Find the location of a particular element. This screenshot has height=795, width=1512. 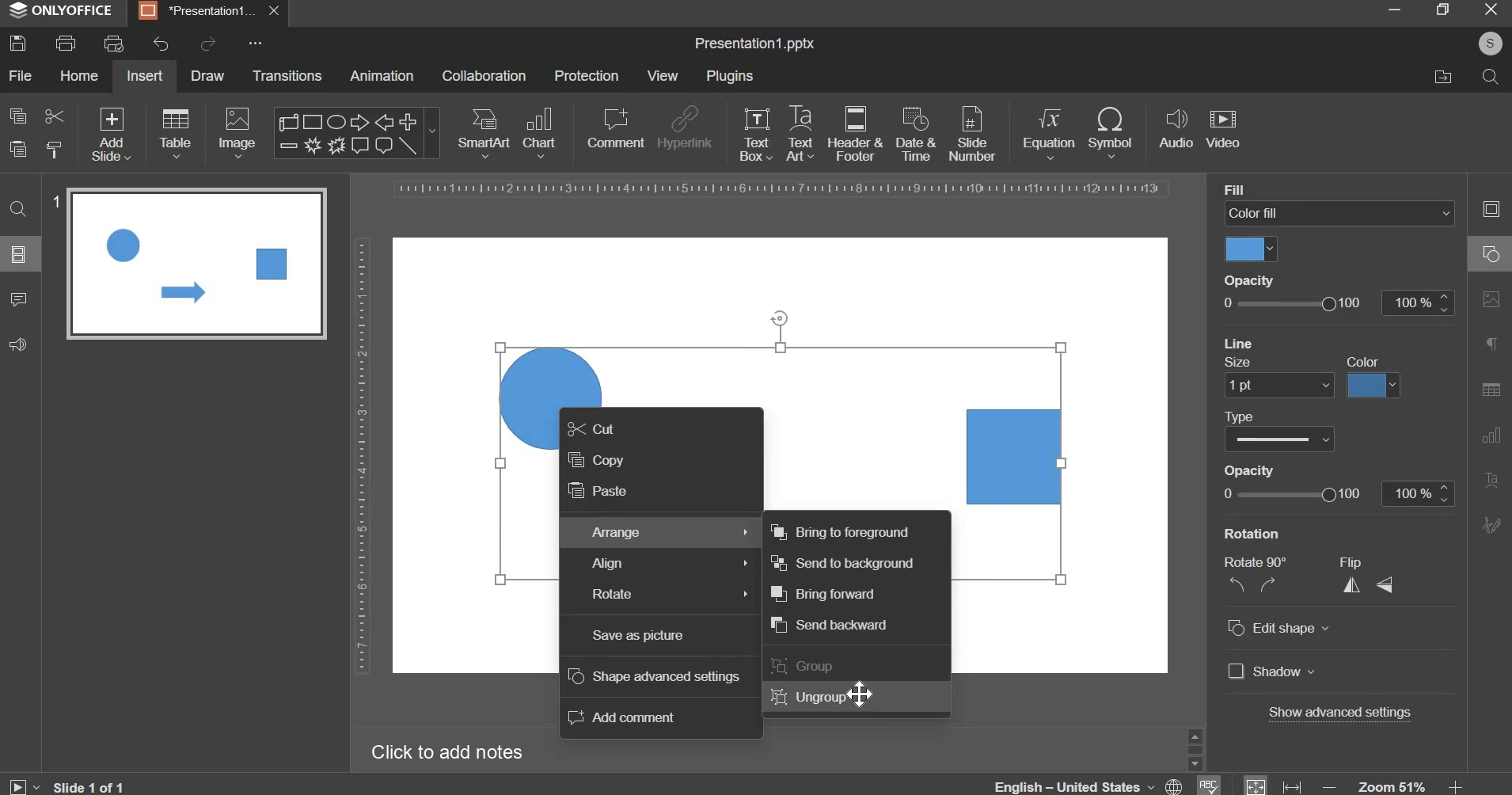

size is located at coordinates (1247, 361).